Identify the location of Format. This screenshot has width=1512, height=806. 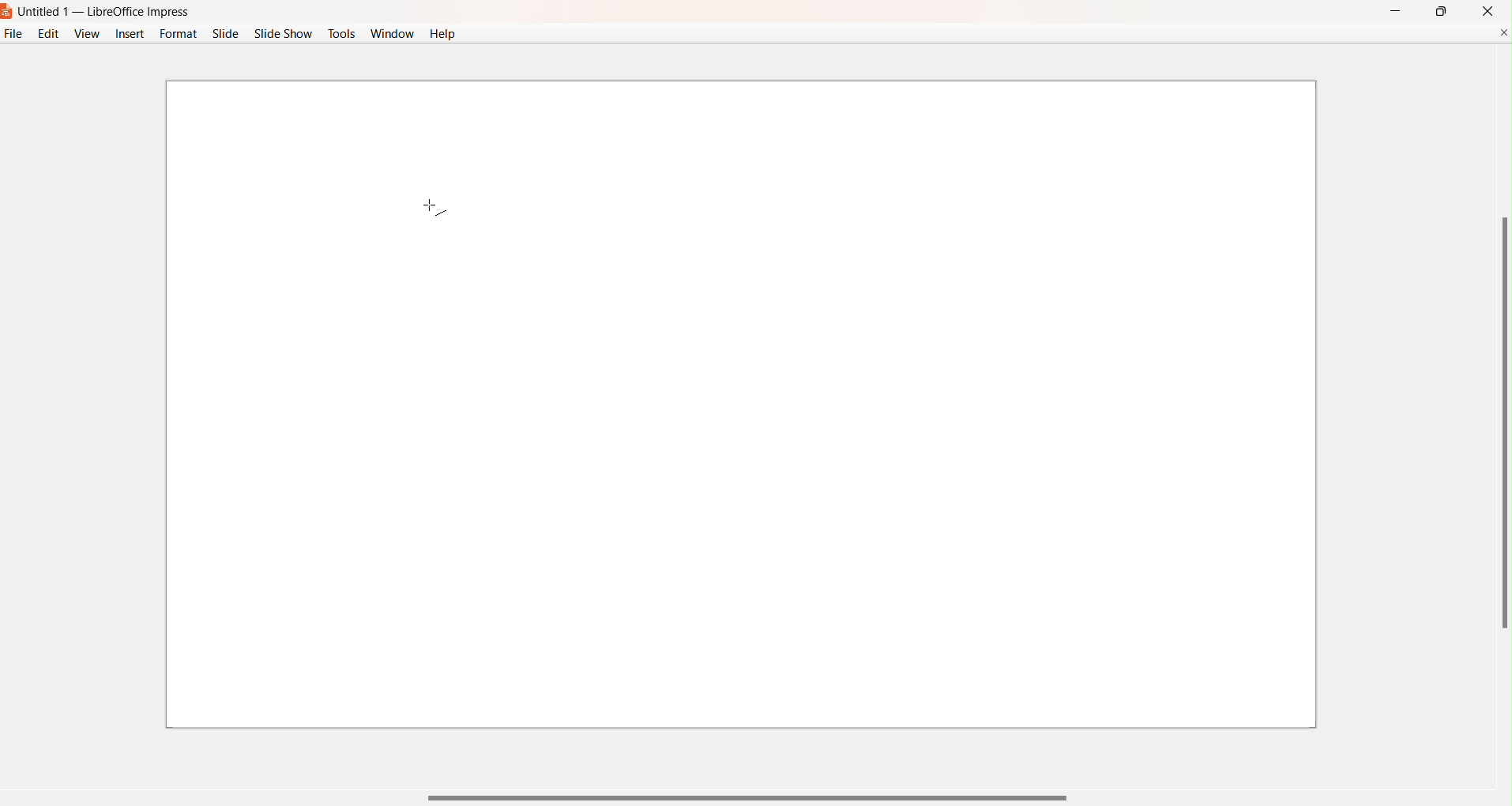
(179, 33).